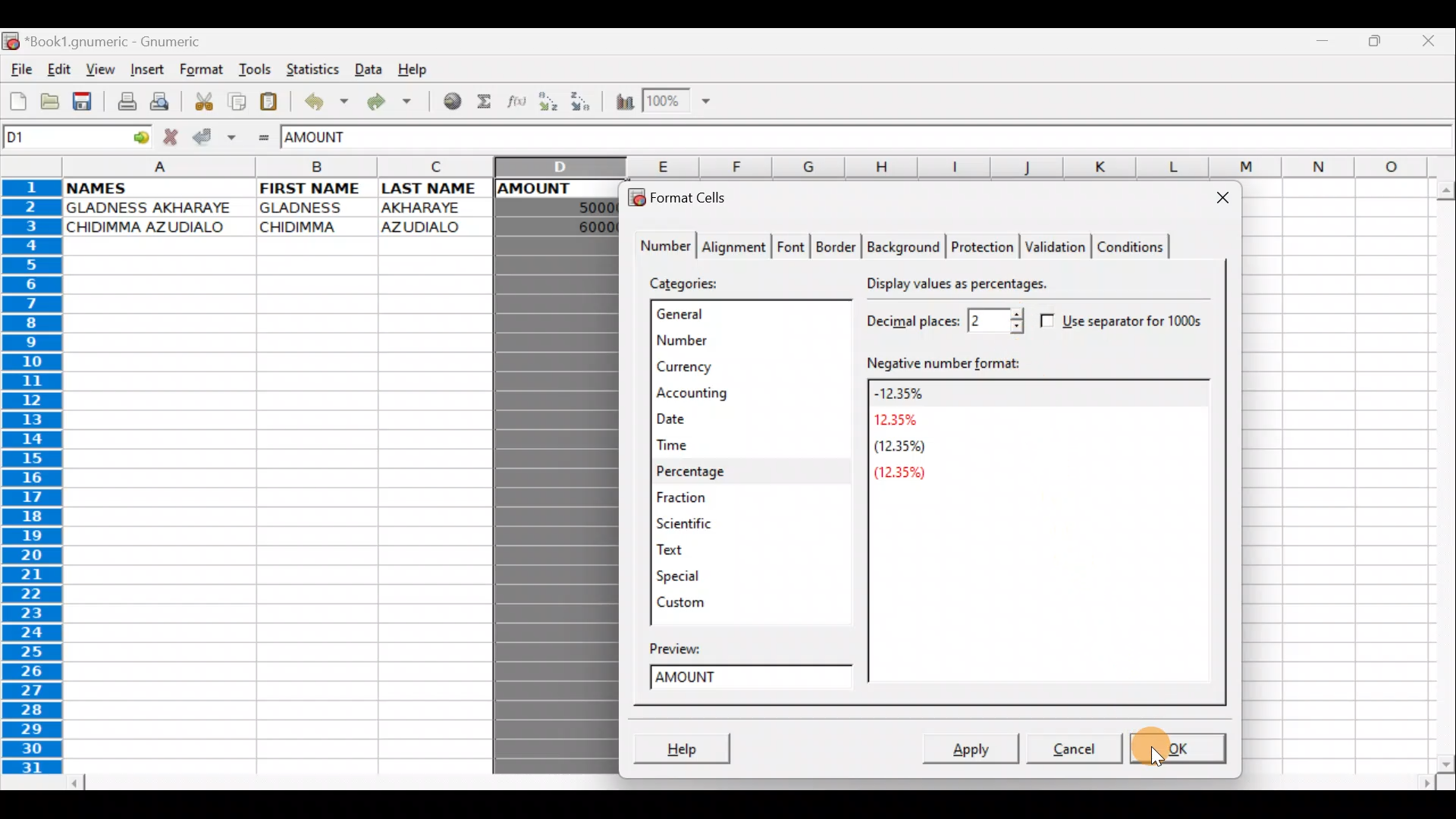 The image size is (1456, 819). Describe the element at coordinates (308, 227) in the screenshot. I see `CHIDIMMA` at that location.